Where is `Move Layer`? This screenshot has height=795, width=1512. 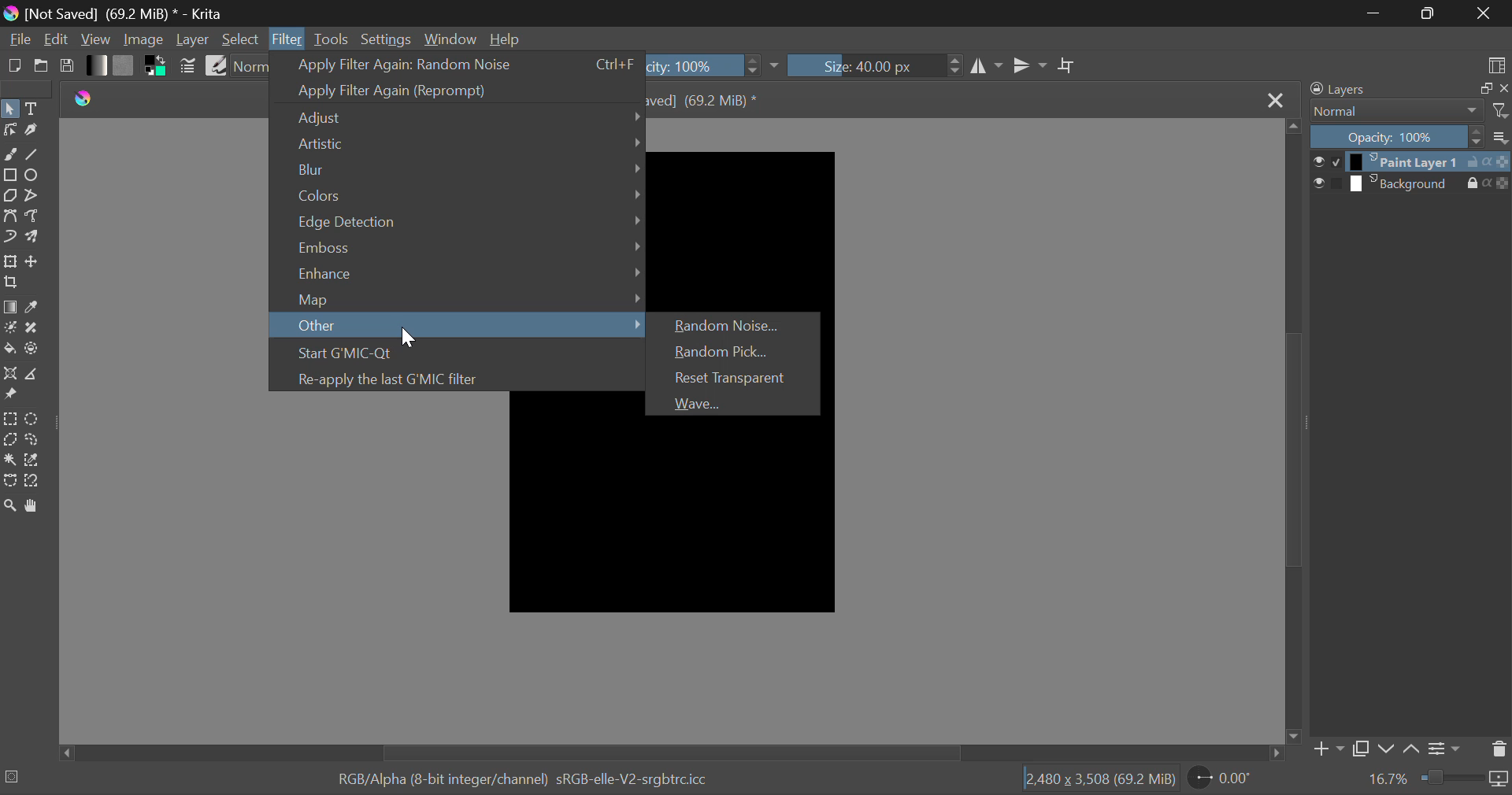 Move Layer is located at coordinates (34, 264).